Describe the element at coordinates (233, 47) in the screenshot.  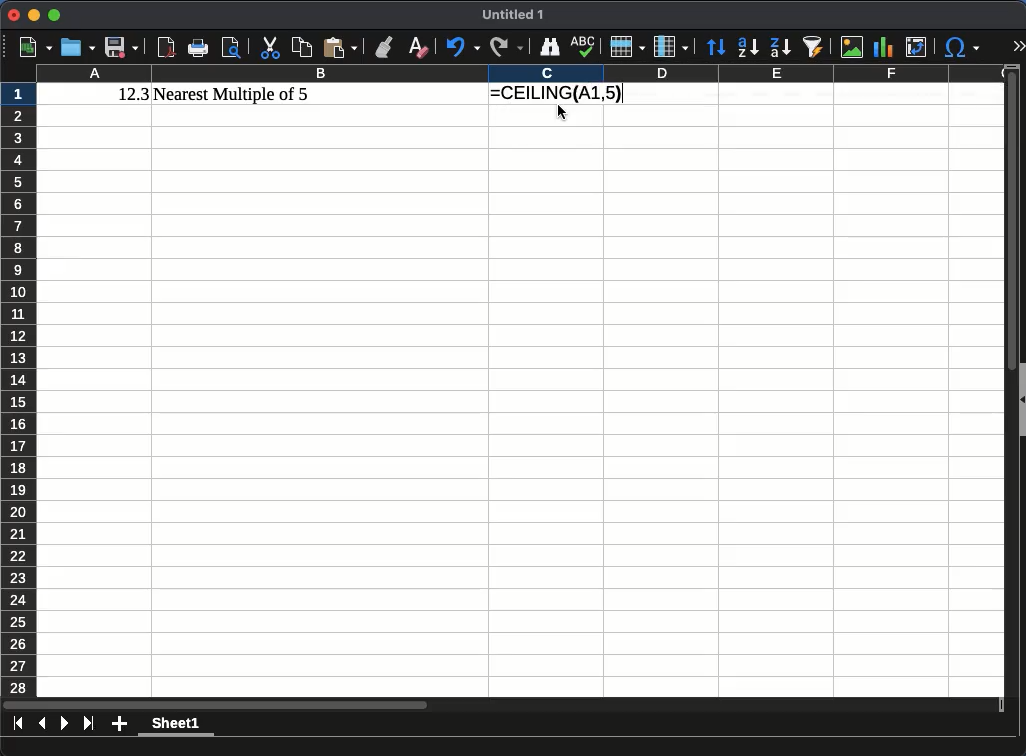
I see `print preview` at that location.